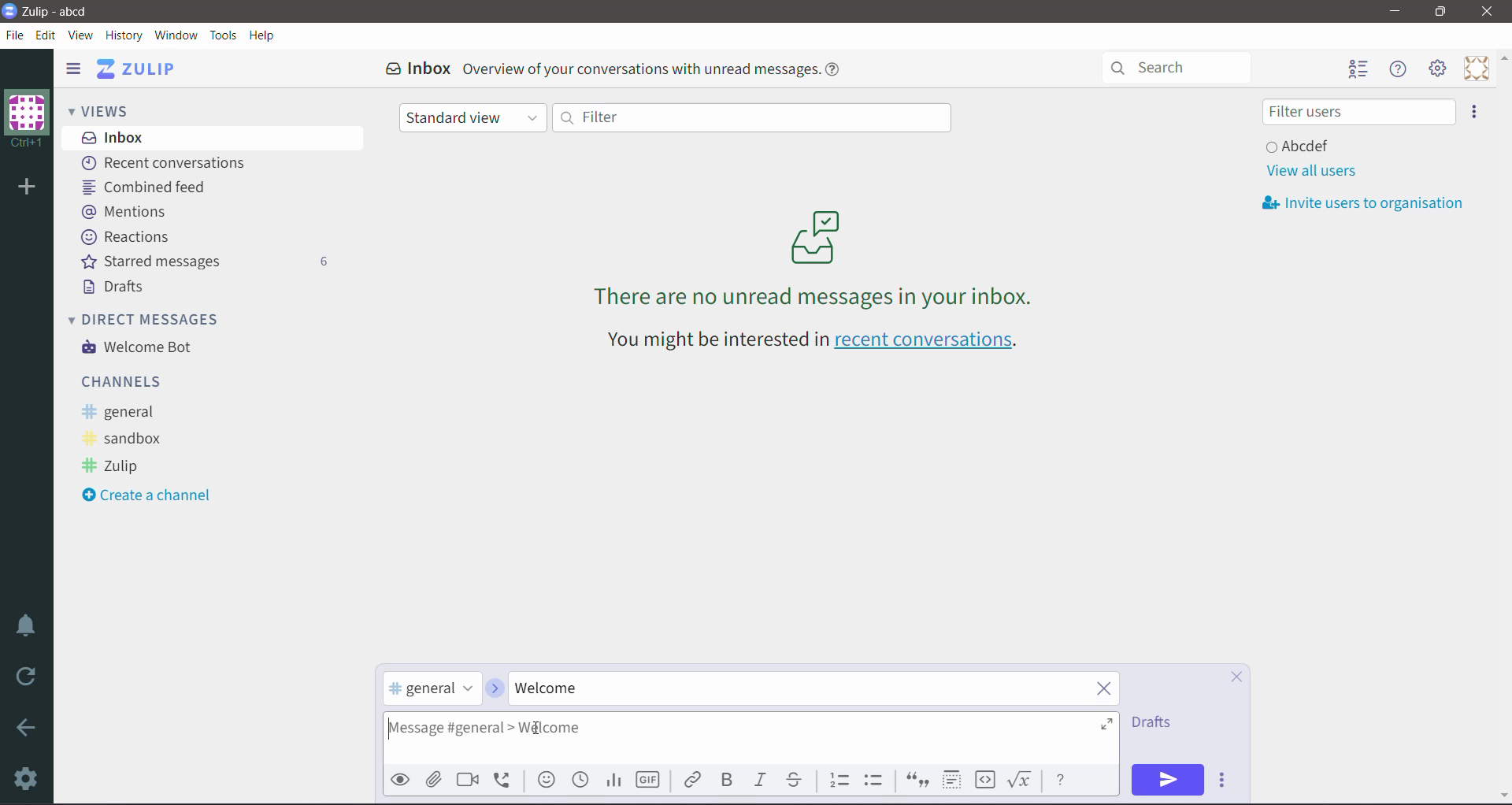 Image resolution: width=1512 pixels, height=805 pixels. What do you see at coordinates (1061, 778) in the screenshot?
I see `Message Formatting` at bounding box center [1061, 778].